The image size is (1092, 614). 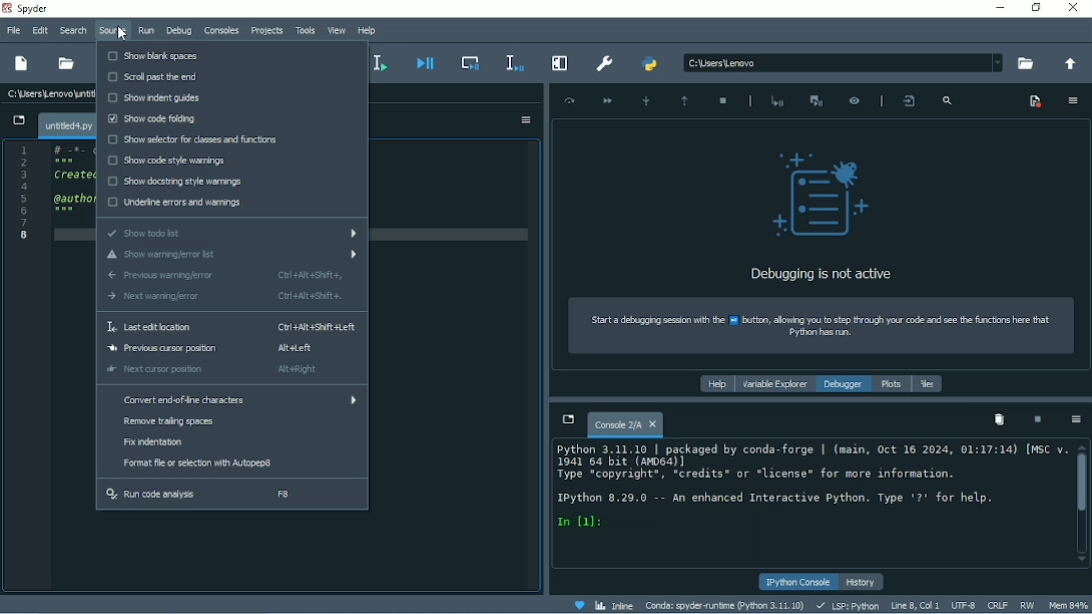 What do you see at coordinates (241, 401) in the screenshot?
I see `Convert end of line characters` at bounding box center [241, 401].